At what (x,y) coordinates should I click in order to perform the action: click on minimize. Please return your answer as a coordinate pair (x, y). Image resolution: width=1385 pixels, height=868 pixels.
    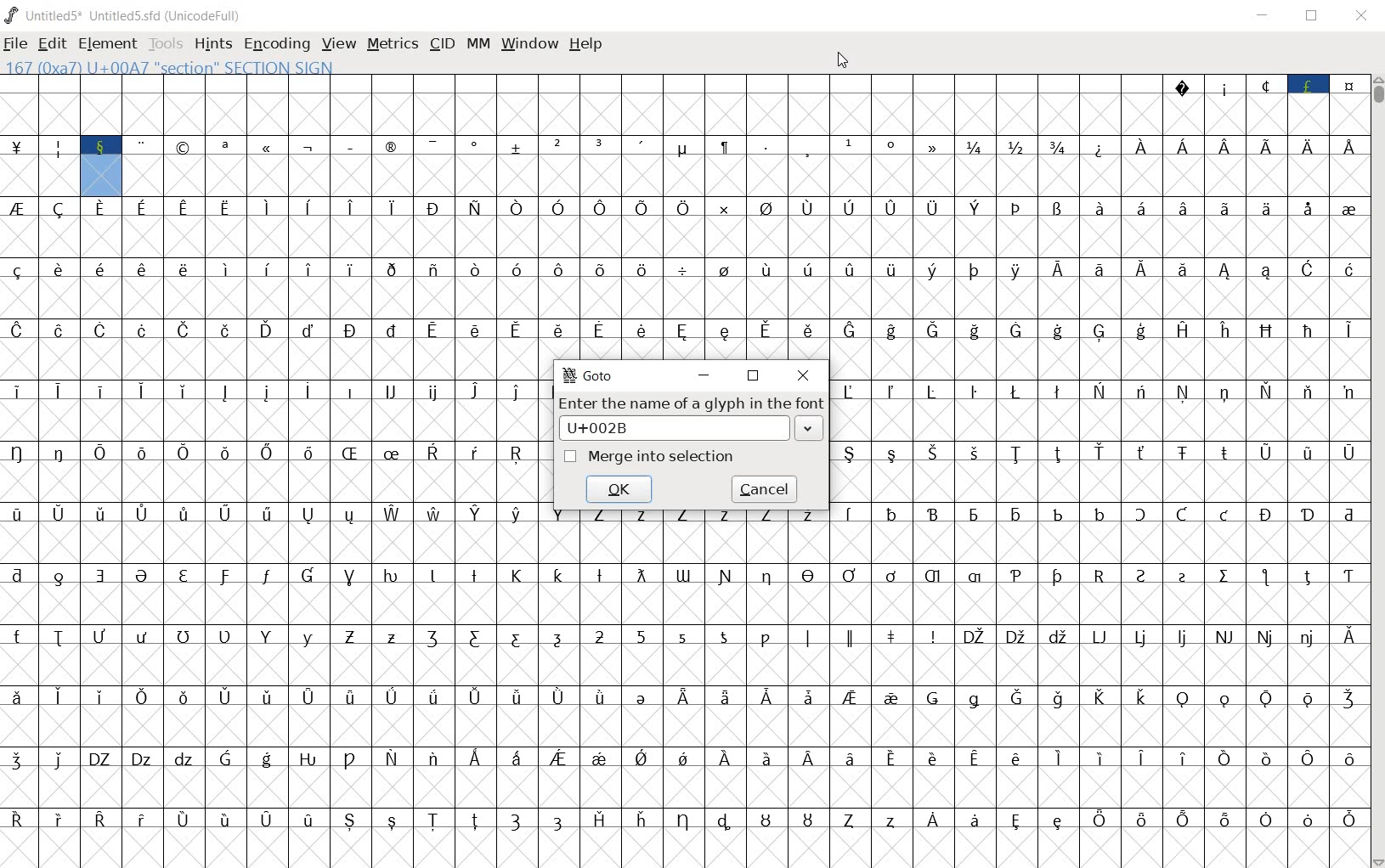
    Looking at the image, I should click on (704, 375).